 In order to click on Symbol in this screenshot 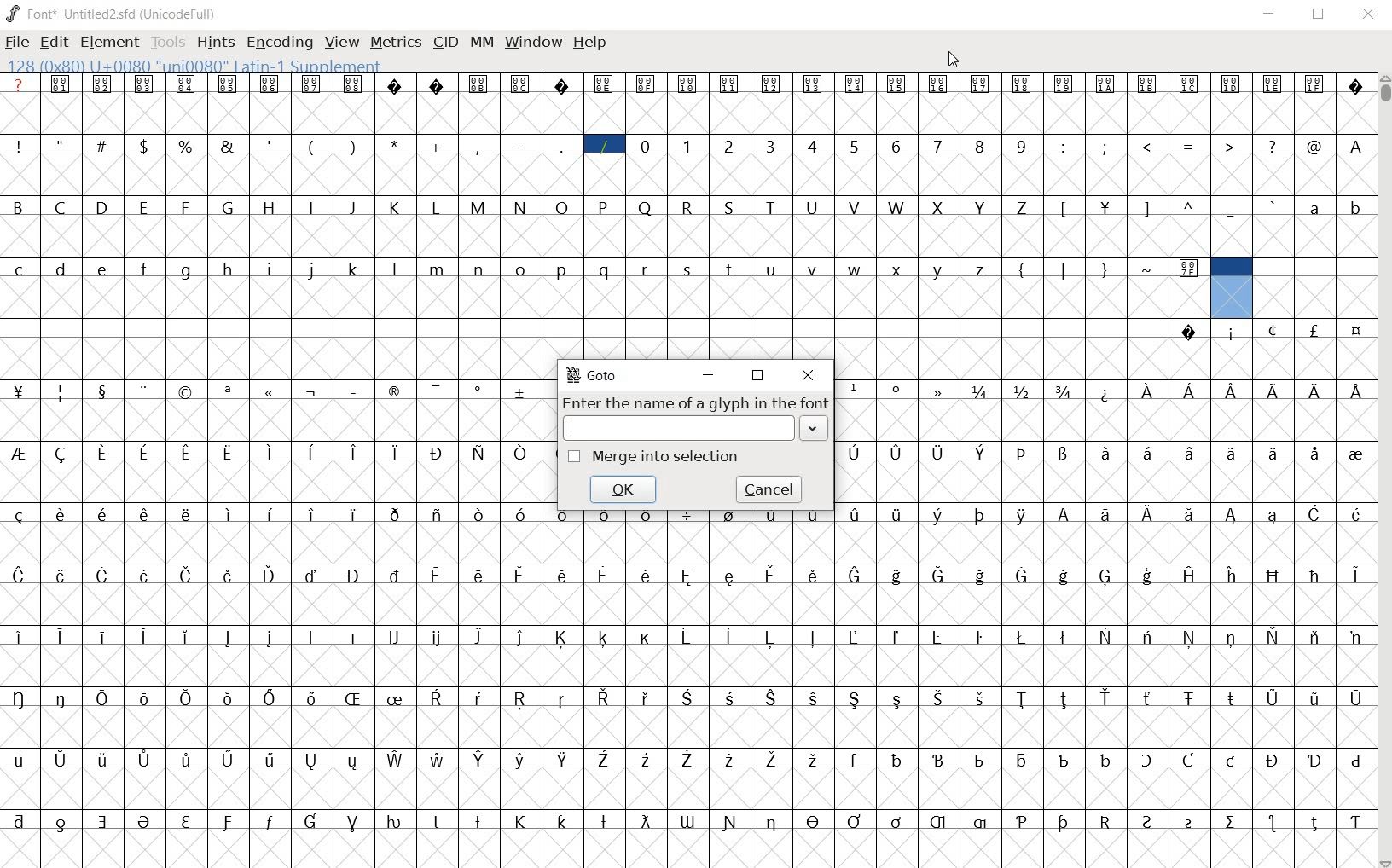, I will do `click(1149, 86)`.